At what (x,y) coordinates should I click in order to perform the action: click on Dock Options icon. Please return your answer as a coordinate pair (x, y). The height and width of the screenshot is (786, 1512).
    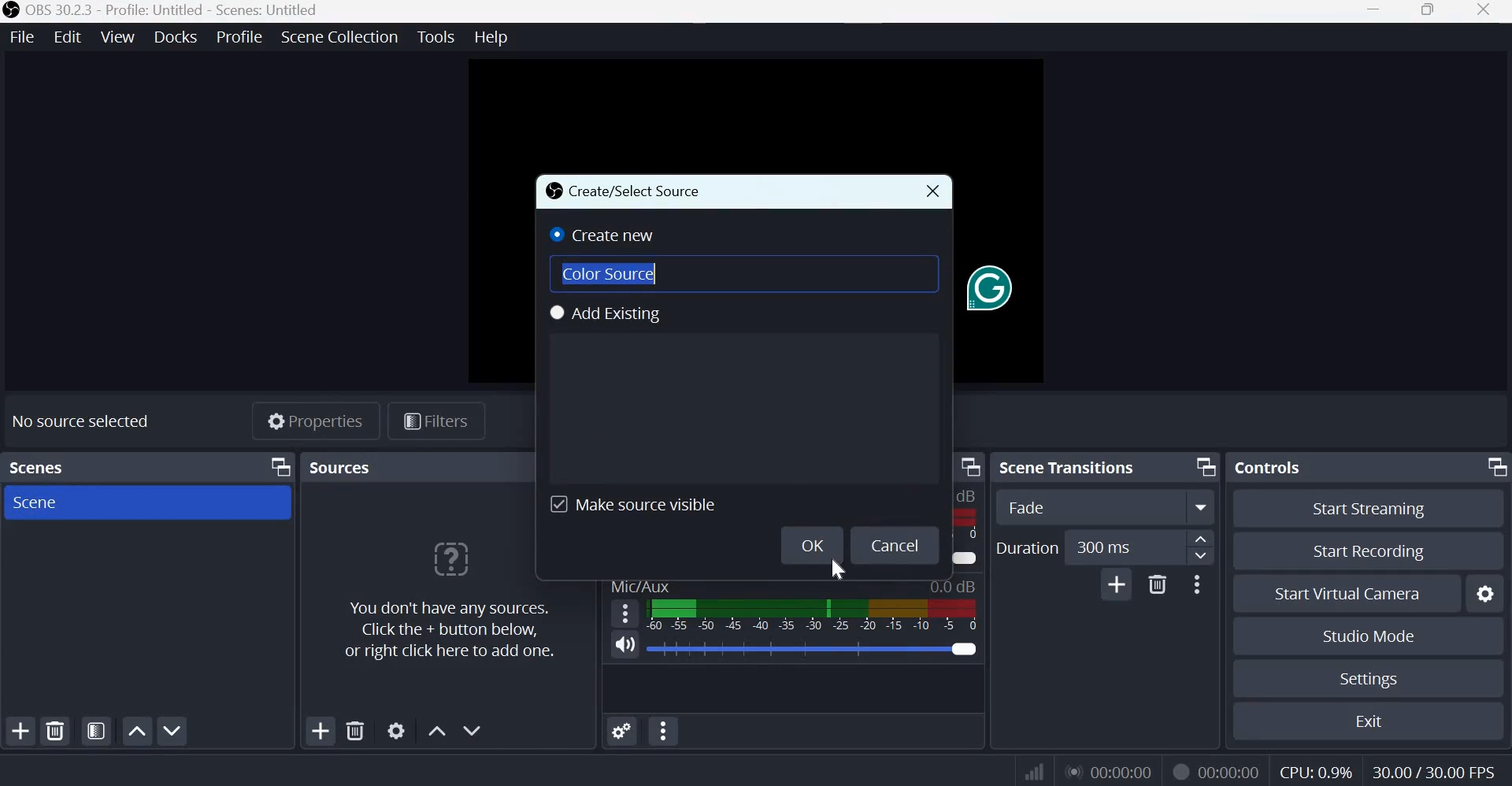
    Looking at the image, I should click on (276, 468).